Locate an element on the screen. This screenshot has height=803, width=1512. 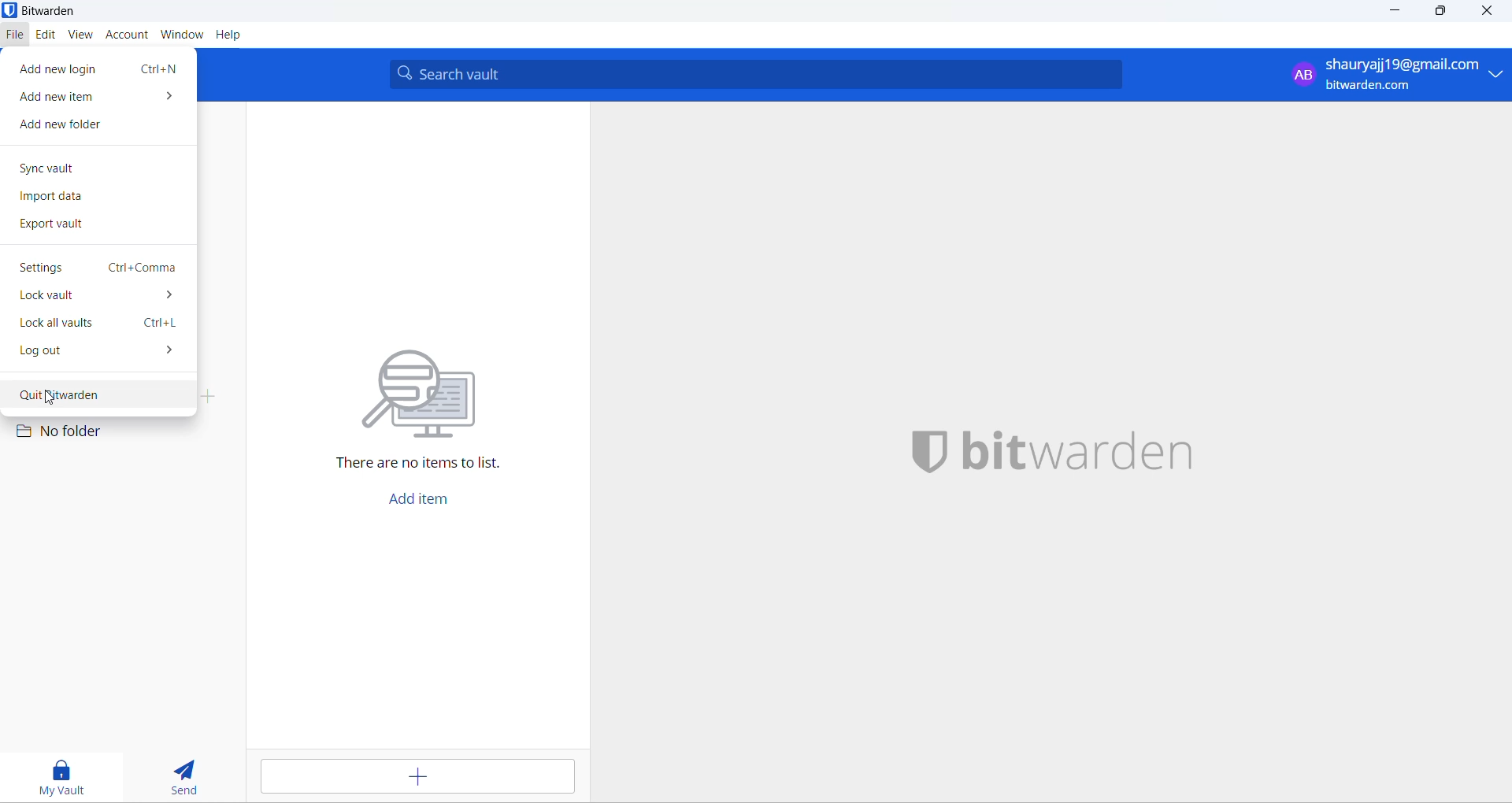
add new login is located at coordinates (102, 68).